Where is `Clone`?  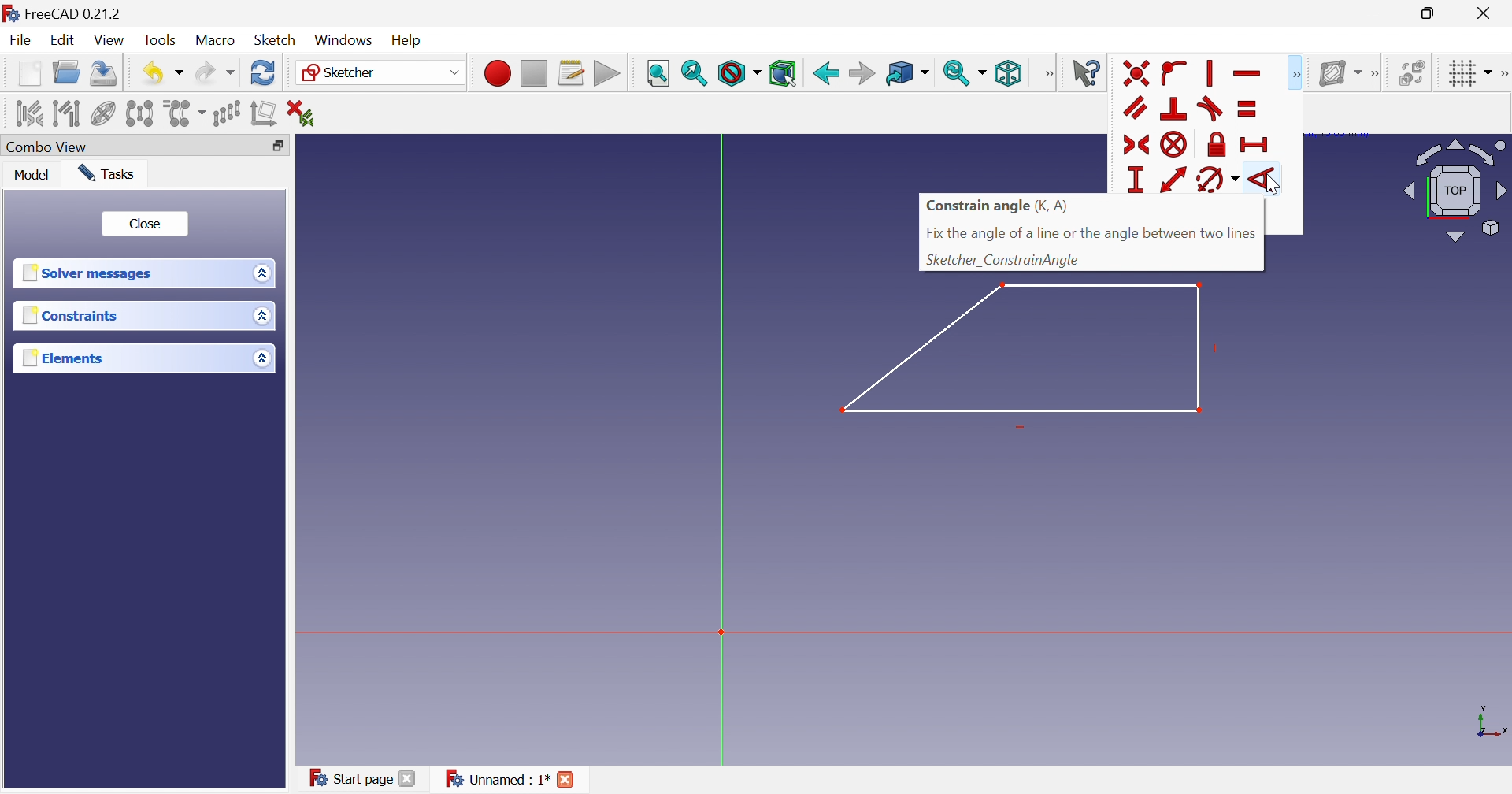 Clone is located at coordinates (186, 114).